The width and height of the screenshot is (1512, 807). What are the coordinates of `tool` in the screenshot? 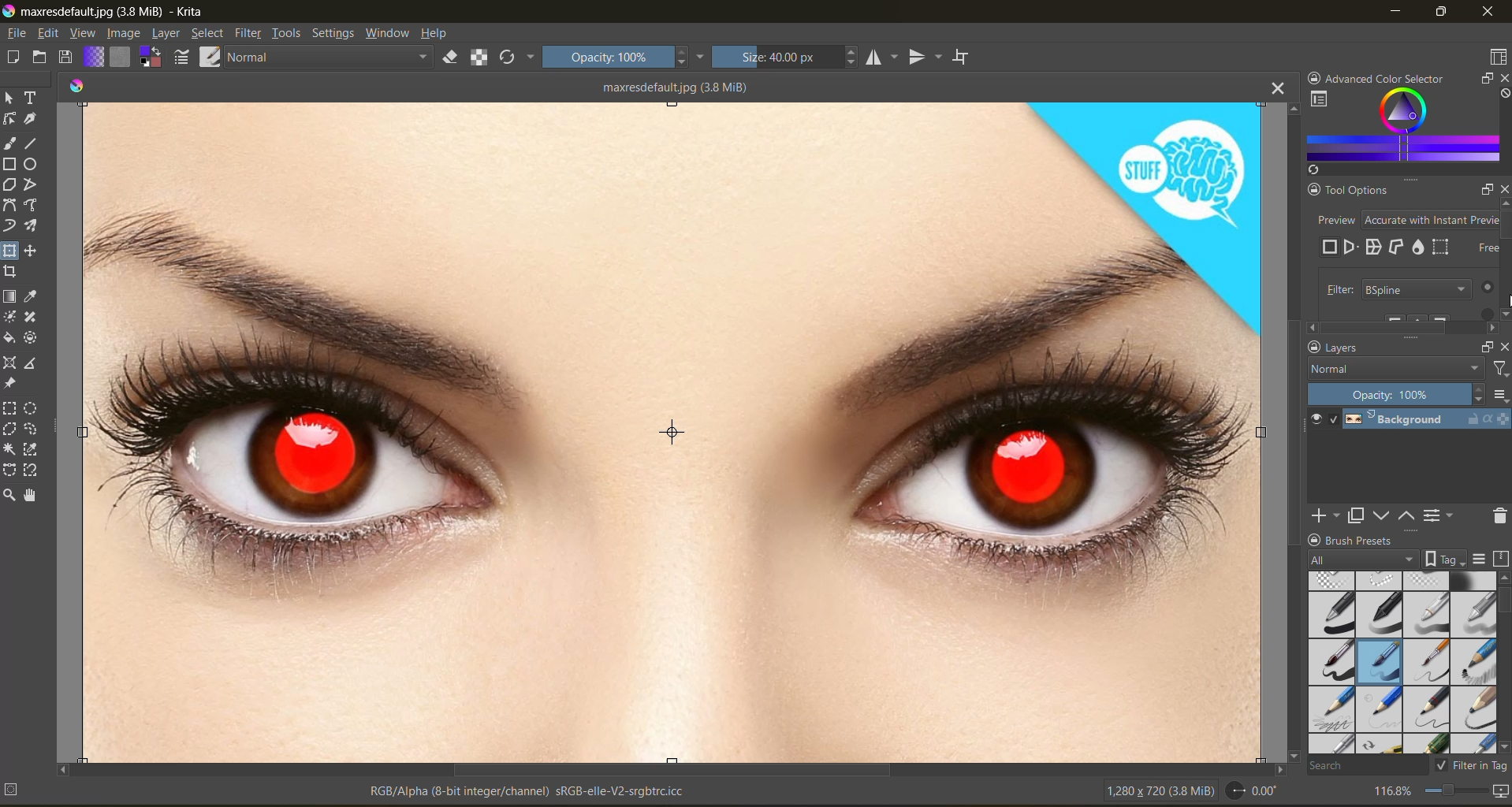 It's located at (11, 99).